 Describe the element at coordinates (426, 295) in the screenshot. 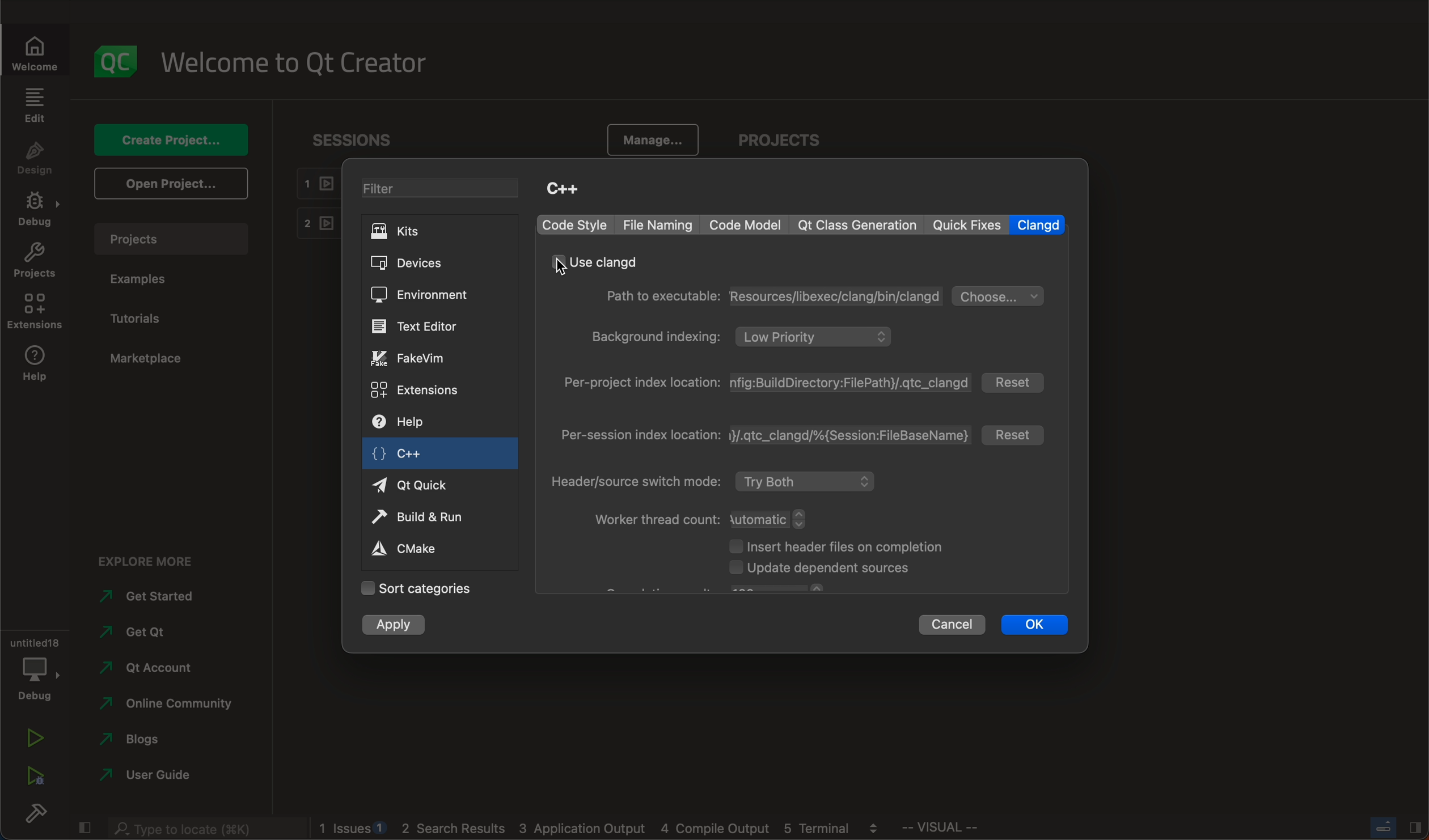

I see `environment` at that location.